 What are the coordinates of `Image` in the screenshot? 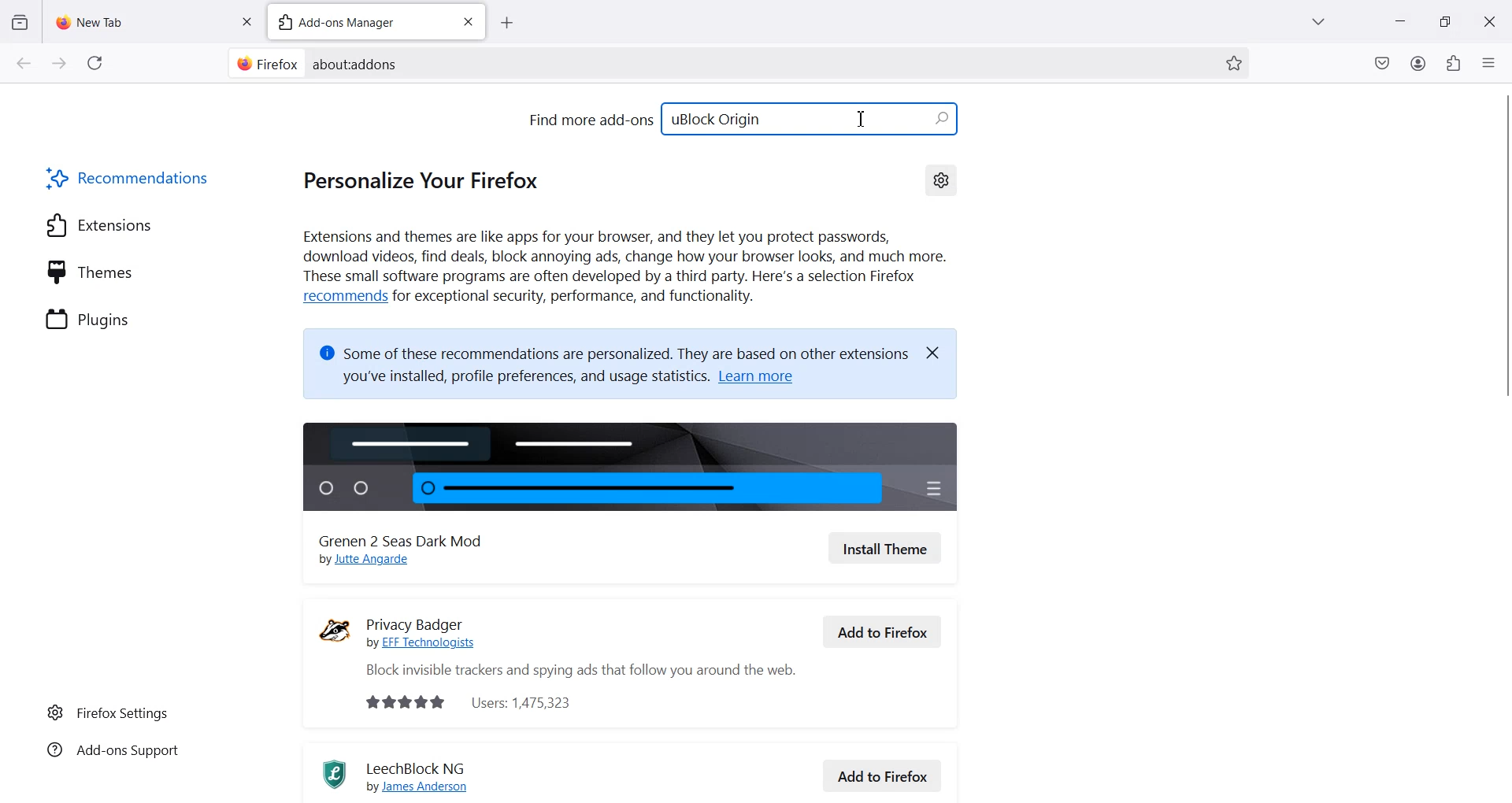 It's located at (633, 463).